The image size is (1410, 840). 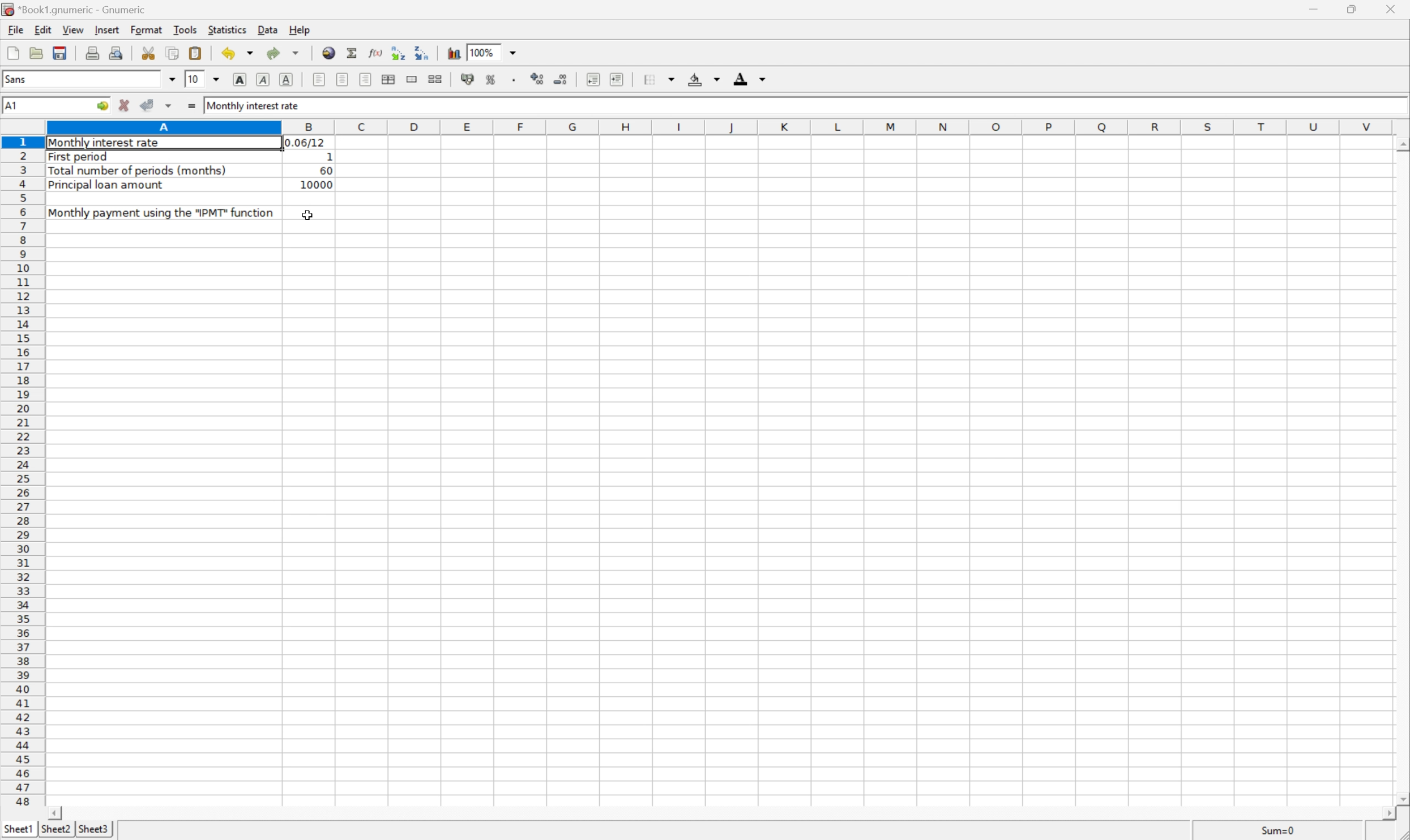 What do you see at coordinates (101, 107) in the screenshot?
I see `Go To` at bounding box center [101, 107].